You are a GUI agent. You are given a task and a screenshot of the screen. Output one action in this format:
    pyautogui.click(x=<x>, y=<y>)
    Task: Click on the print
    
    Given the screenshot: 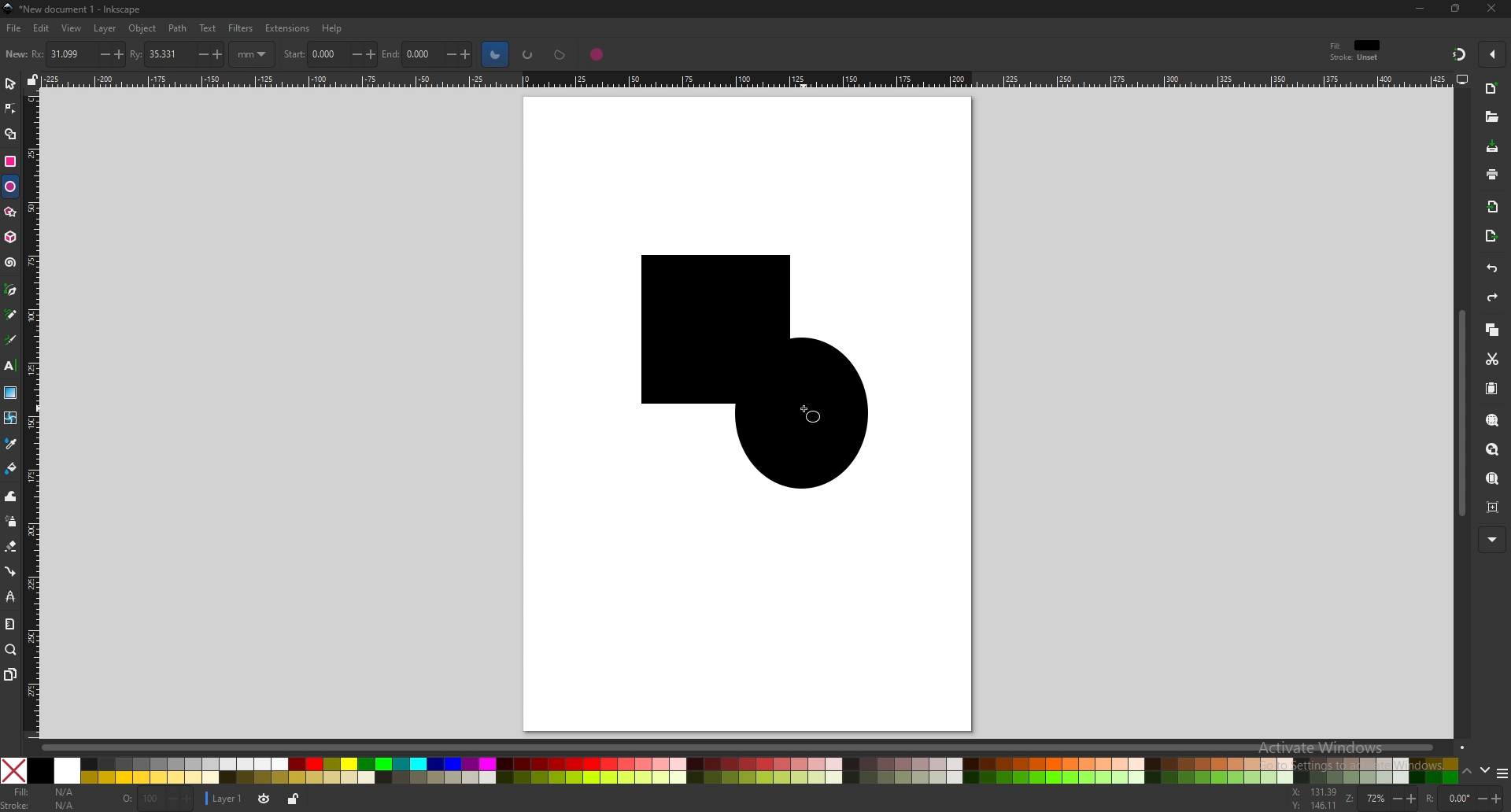 What is the action you would take?
    pyautogui.click(x=1491, y=174)
    